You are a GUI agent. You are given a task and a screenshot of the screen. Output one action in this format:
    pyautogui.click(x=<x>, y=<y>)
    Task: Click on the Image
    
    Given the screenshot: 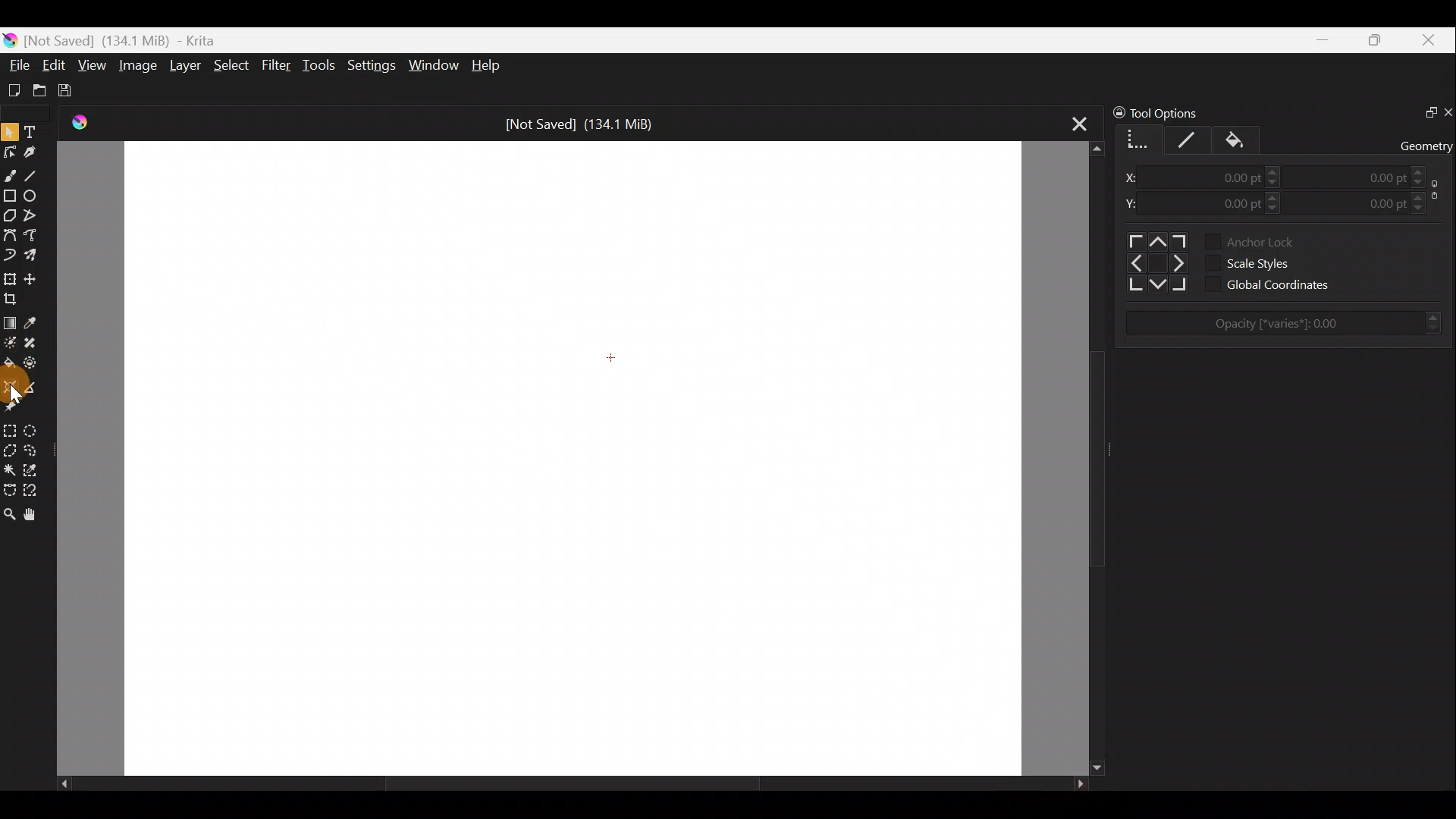 What is the action you would take?
    pyautogui.click(x=140, y=64)
    